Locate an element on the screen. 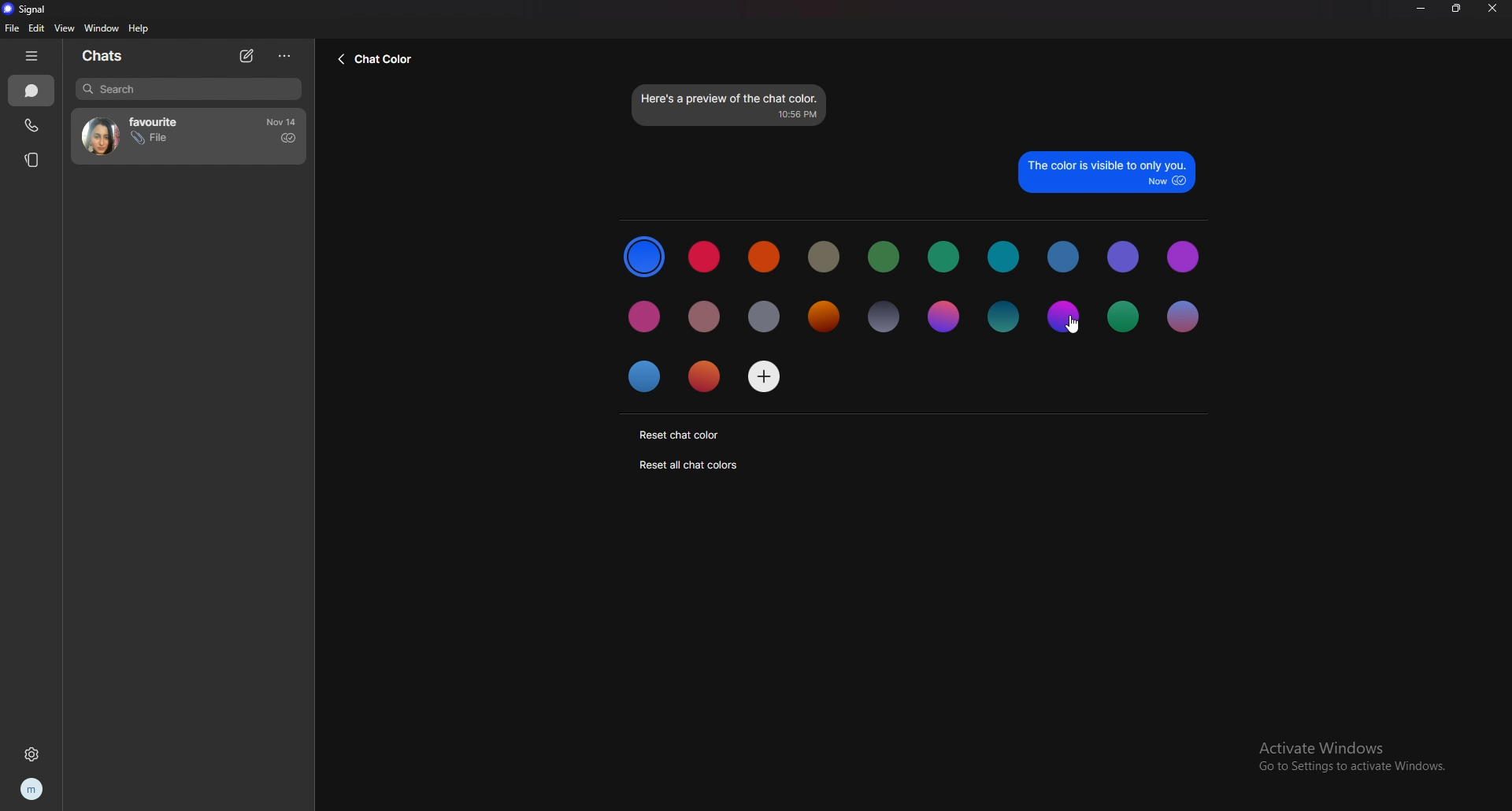 The image size is (1512, 811). sent is located at coordinates (287, 138).